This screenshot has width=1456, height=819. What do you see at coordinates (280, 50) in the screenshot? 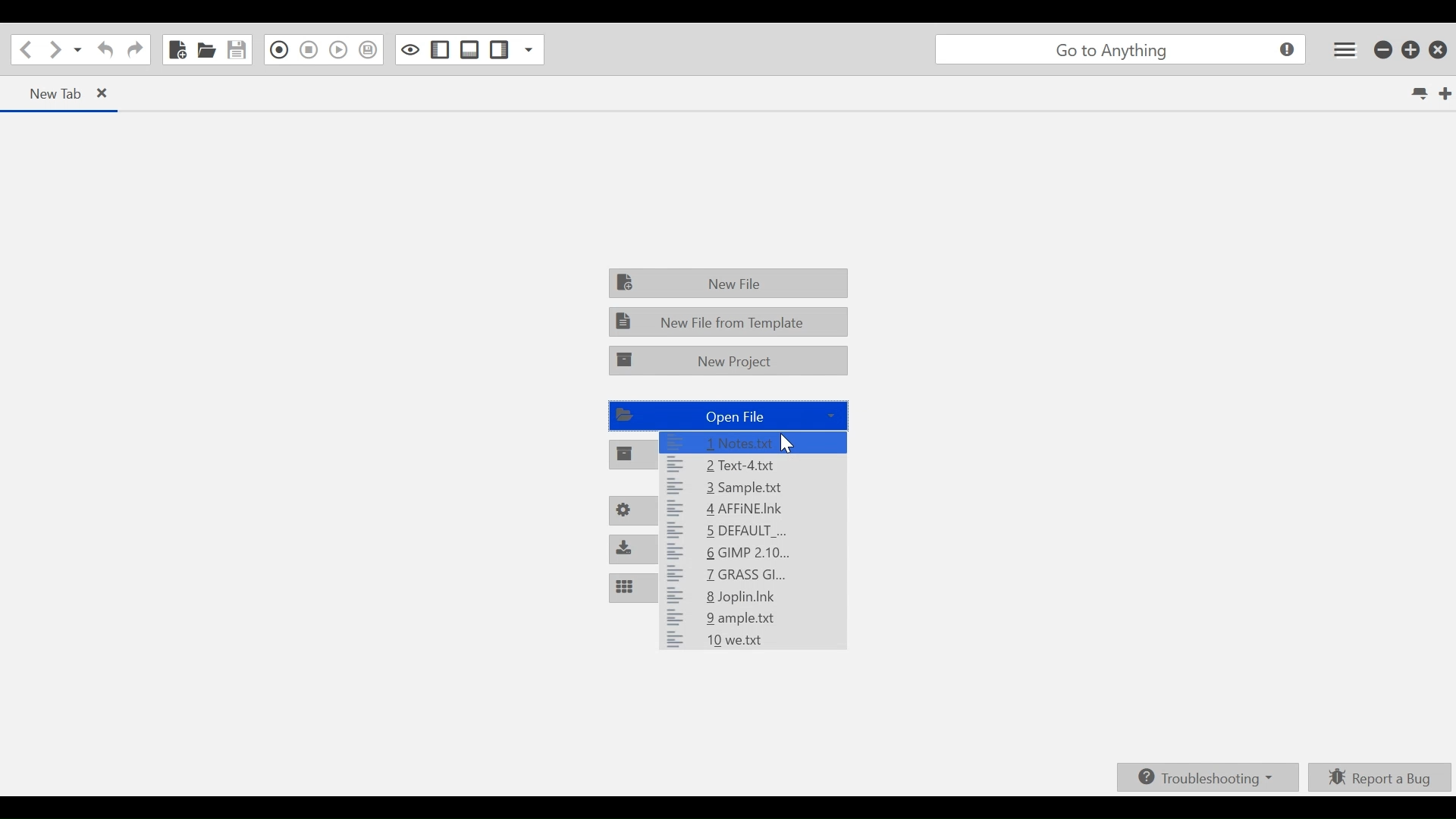
I see `Recording in Macro` at bounding box center [280, 50].